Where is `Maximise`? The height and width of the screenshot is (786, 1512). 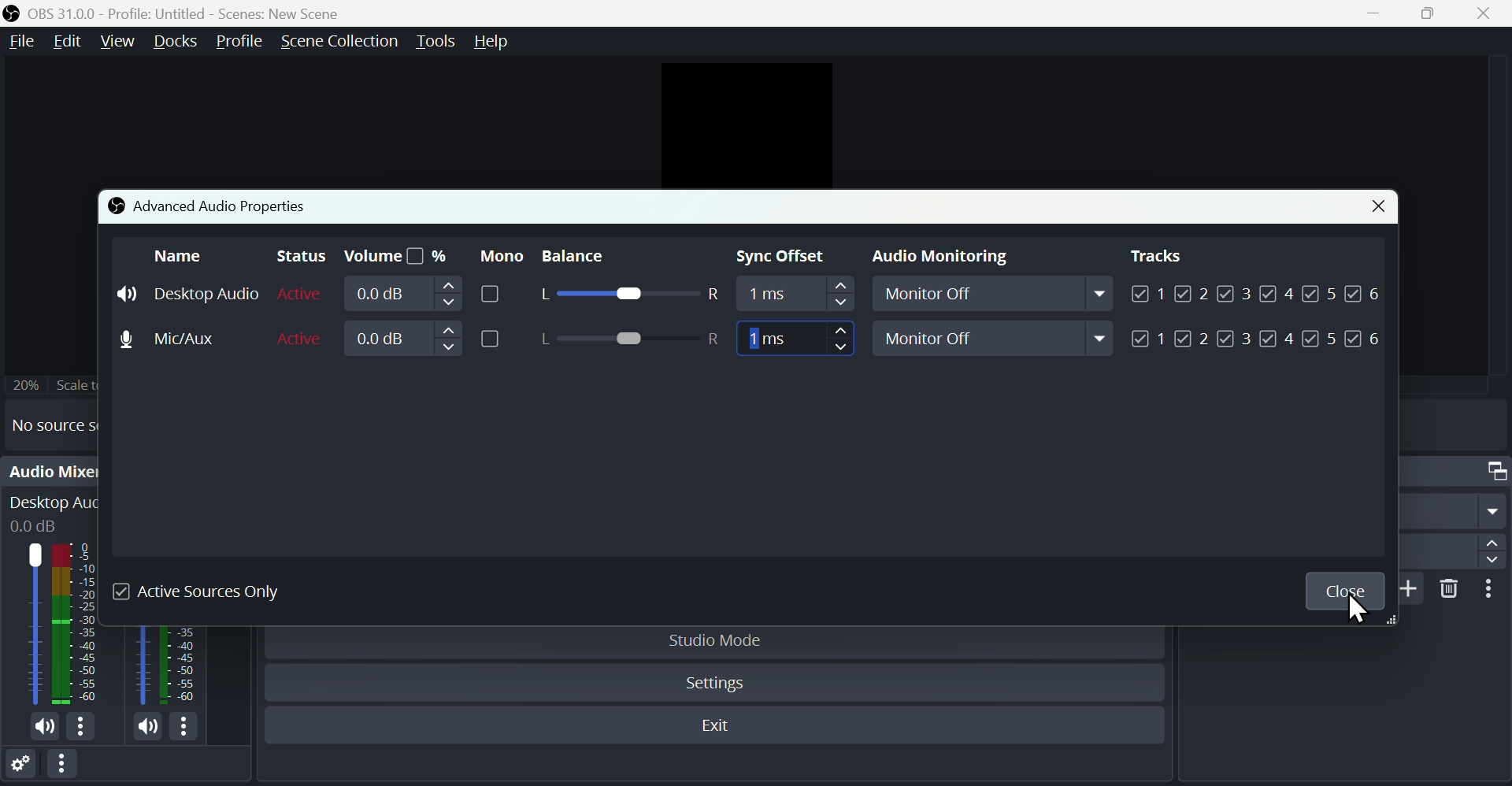 Maximise is located at coordinates (1436, 13).